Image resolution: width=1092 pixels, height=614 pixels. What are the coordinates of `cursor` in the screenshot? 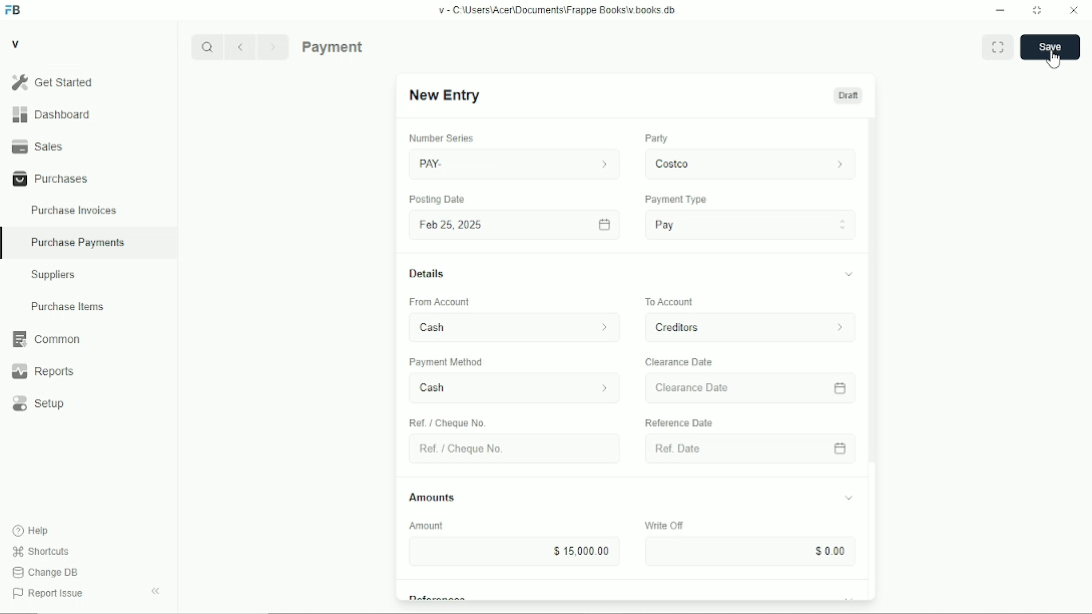 It's located at (1055, 61).